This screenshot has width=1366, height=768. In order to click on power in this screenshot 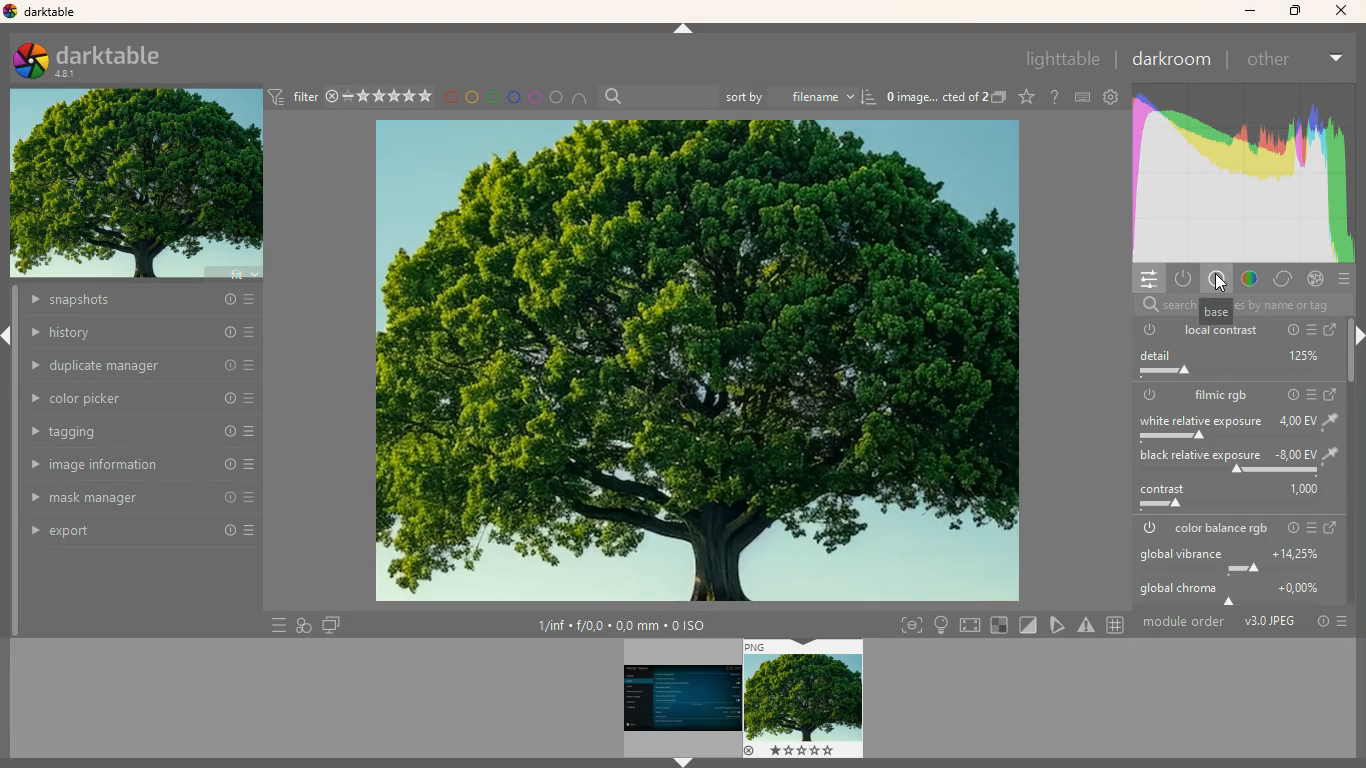, I will do `click(1147, 530)`.